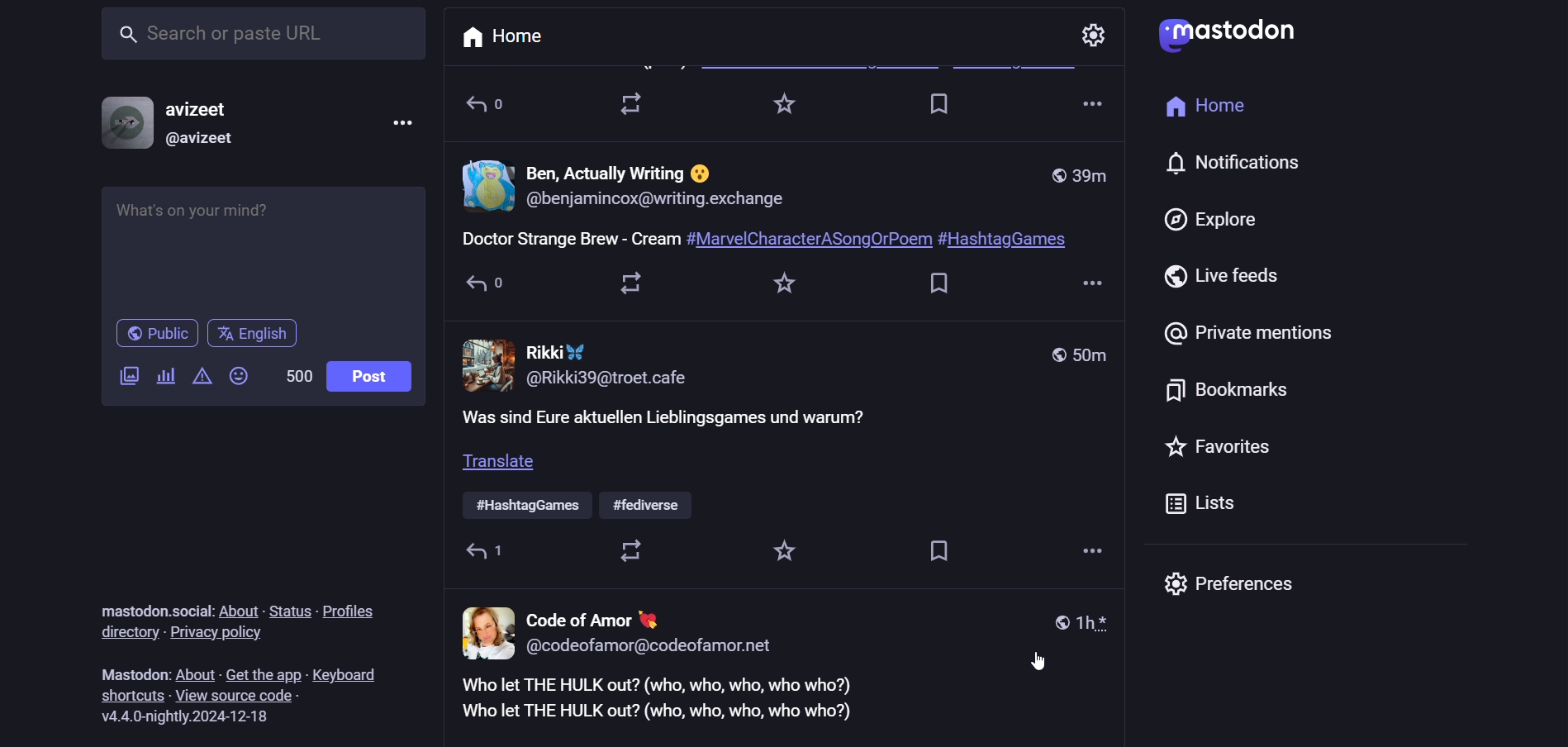 This screenshot has height=747, width=1568. What do you see at coordinates (165, 377) in the screenshot?
I see `content warning ` at bounding box center [165, 377].